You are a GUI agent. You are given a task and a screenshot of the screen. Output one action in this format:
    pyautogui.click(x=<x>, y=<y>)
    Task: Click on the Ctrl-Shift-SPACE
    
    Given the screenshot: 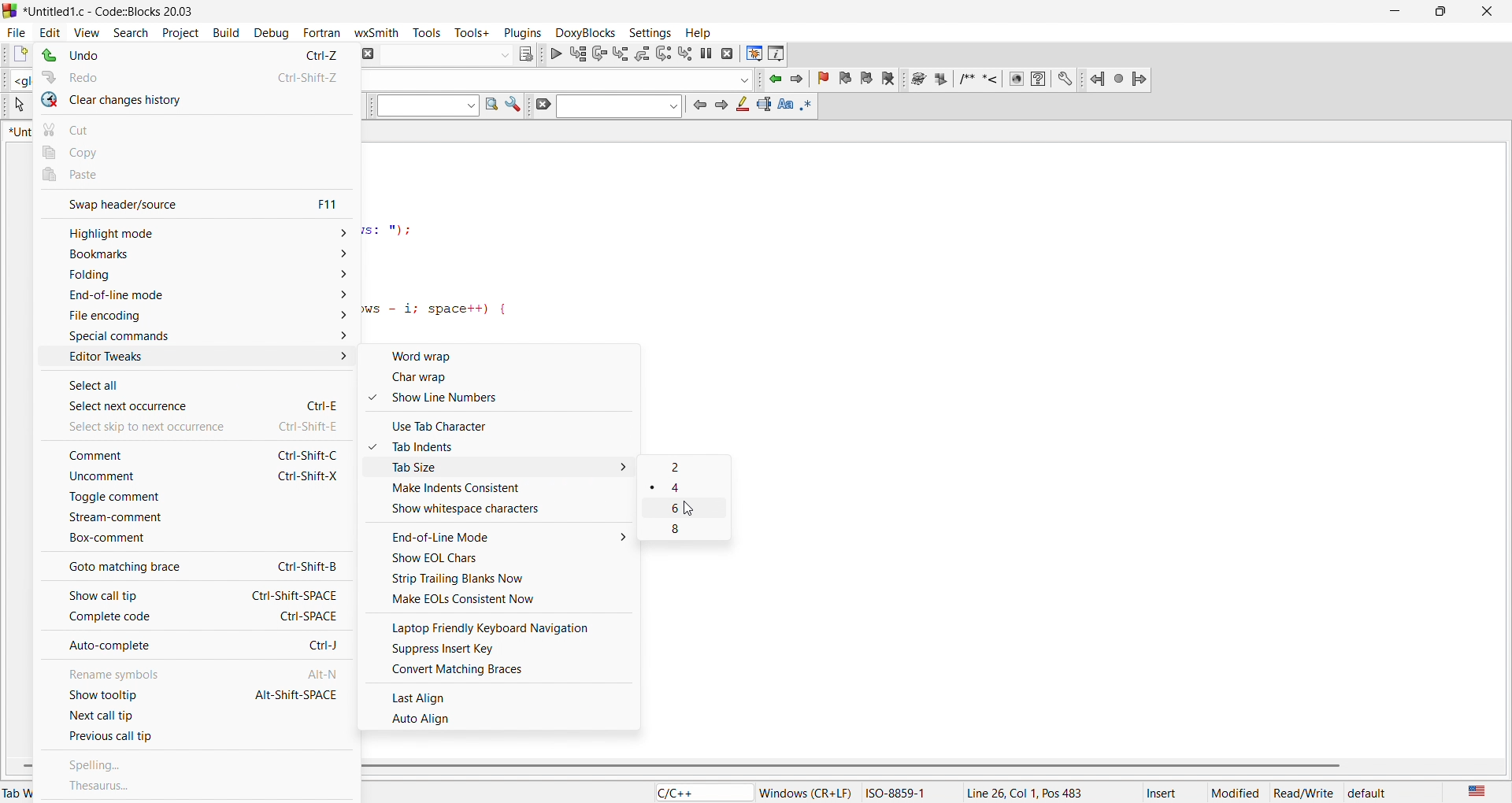 What is the action you would take?
    pyautogui.click(x=295, y=594)
    